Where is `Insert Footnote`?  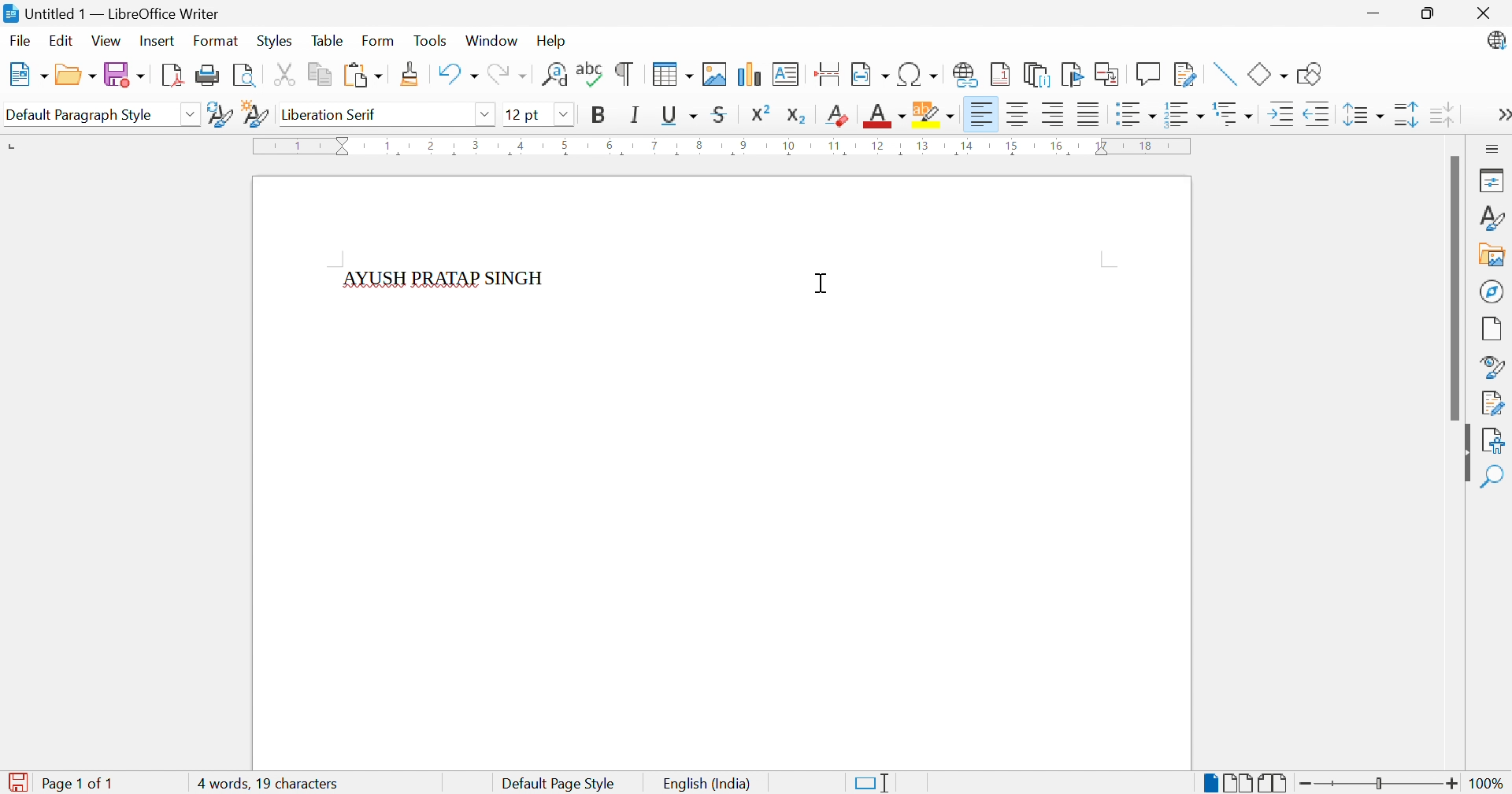 Insert Footnote is located at coordinates (999, 76).